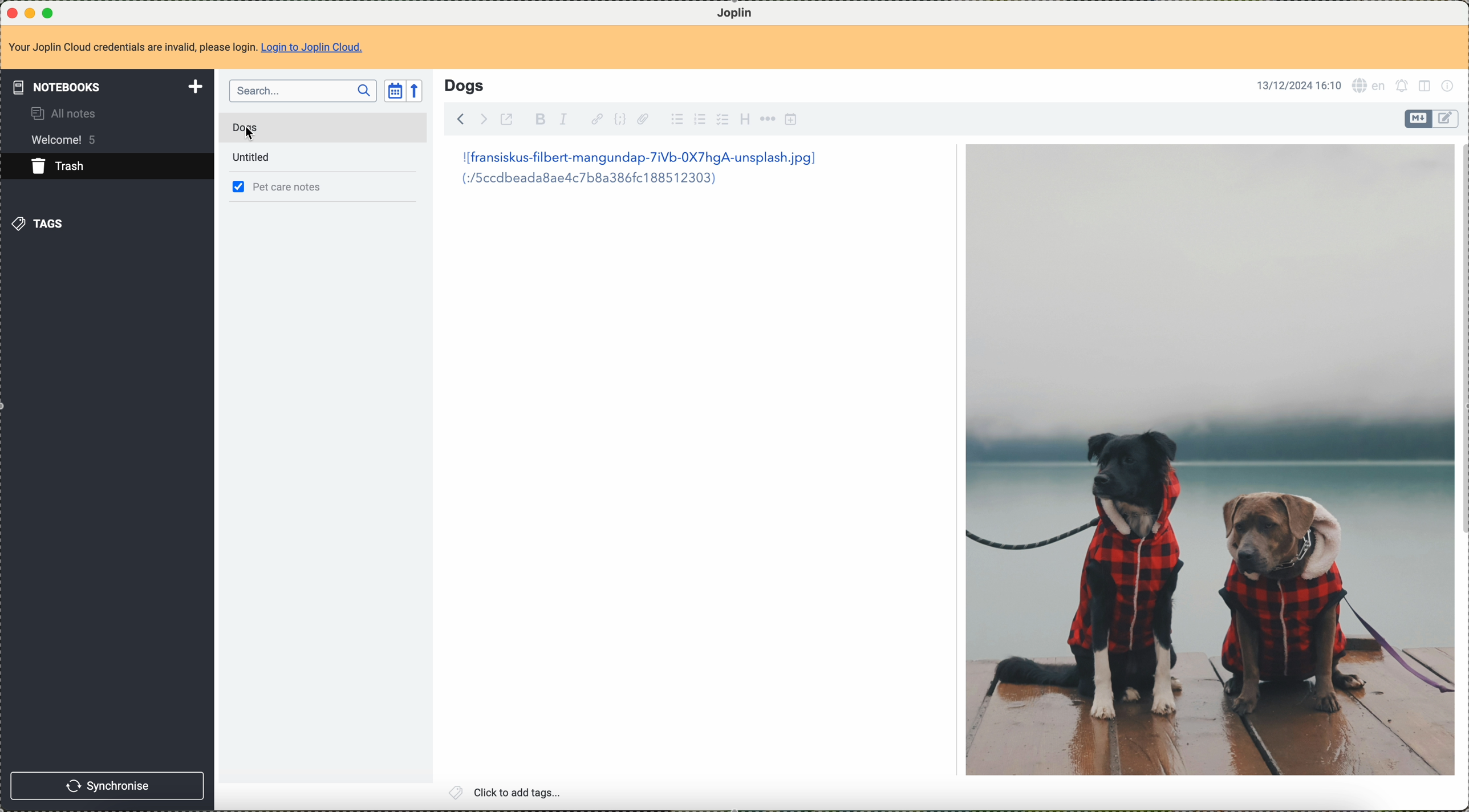 The height and width of the screenshot is (812, 1469). I want to click on set alarm, so click(1402, 88).